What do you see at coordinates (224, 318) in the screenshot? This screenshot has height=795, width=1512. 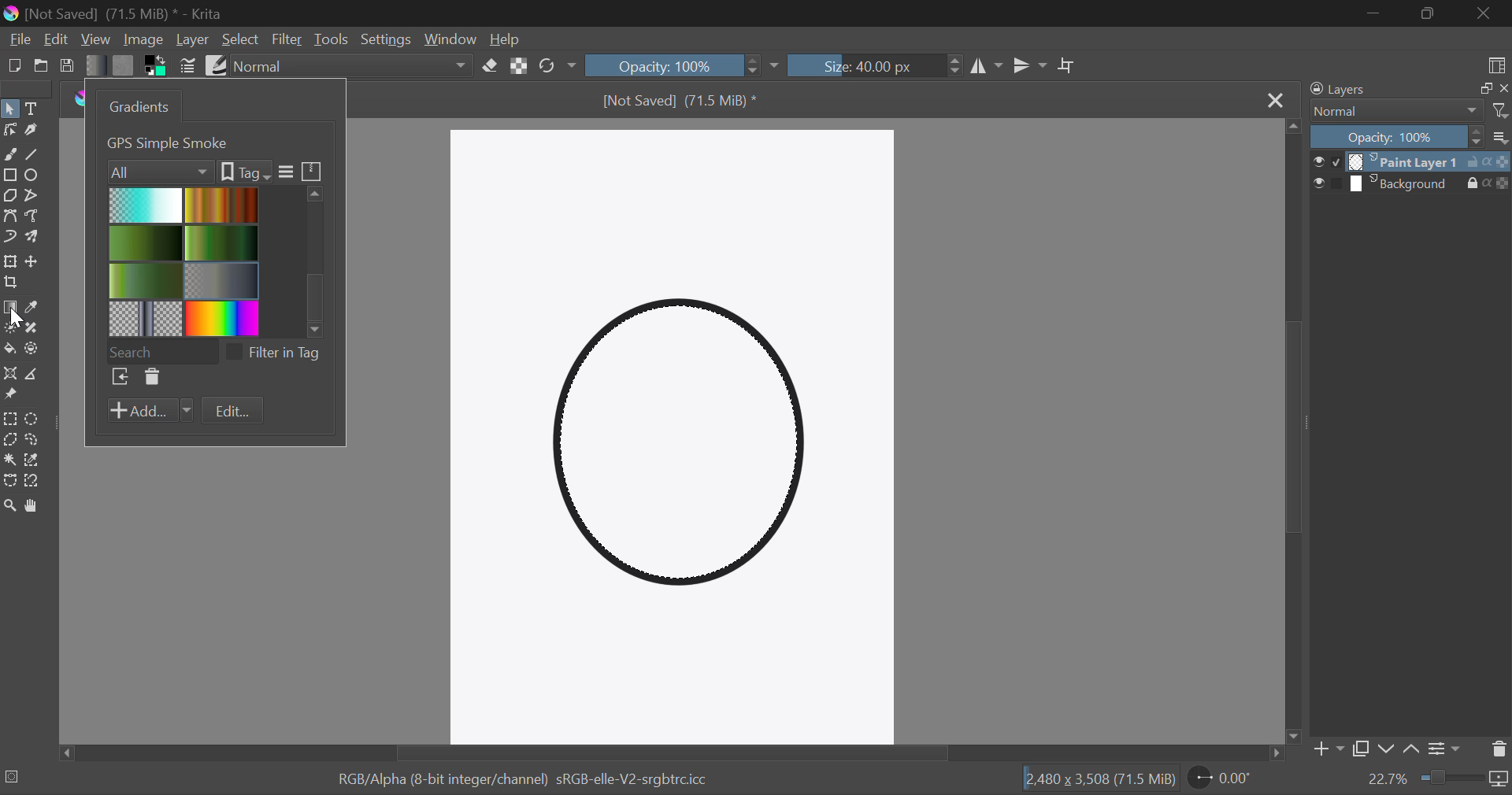 I see `Rainbow Gradient` at bounding box center [224, 318].